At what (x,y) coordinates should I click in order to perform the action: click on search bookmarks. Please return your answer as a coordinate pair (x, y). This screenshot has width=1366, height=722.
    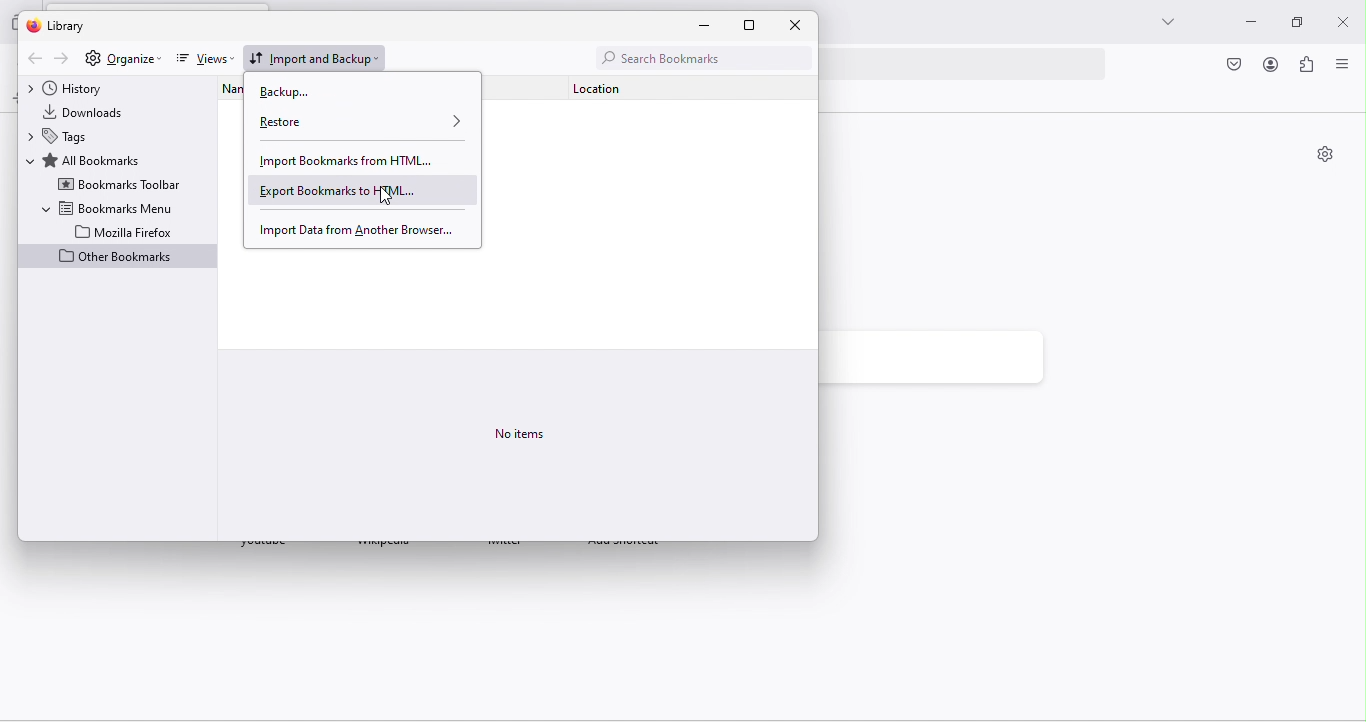
    Looking at the image, I should click on (699, 56).